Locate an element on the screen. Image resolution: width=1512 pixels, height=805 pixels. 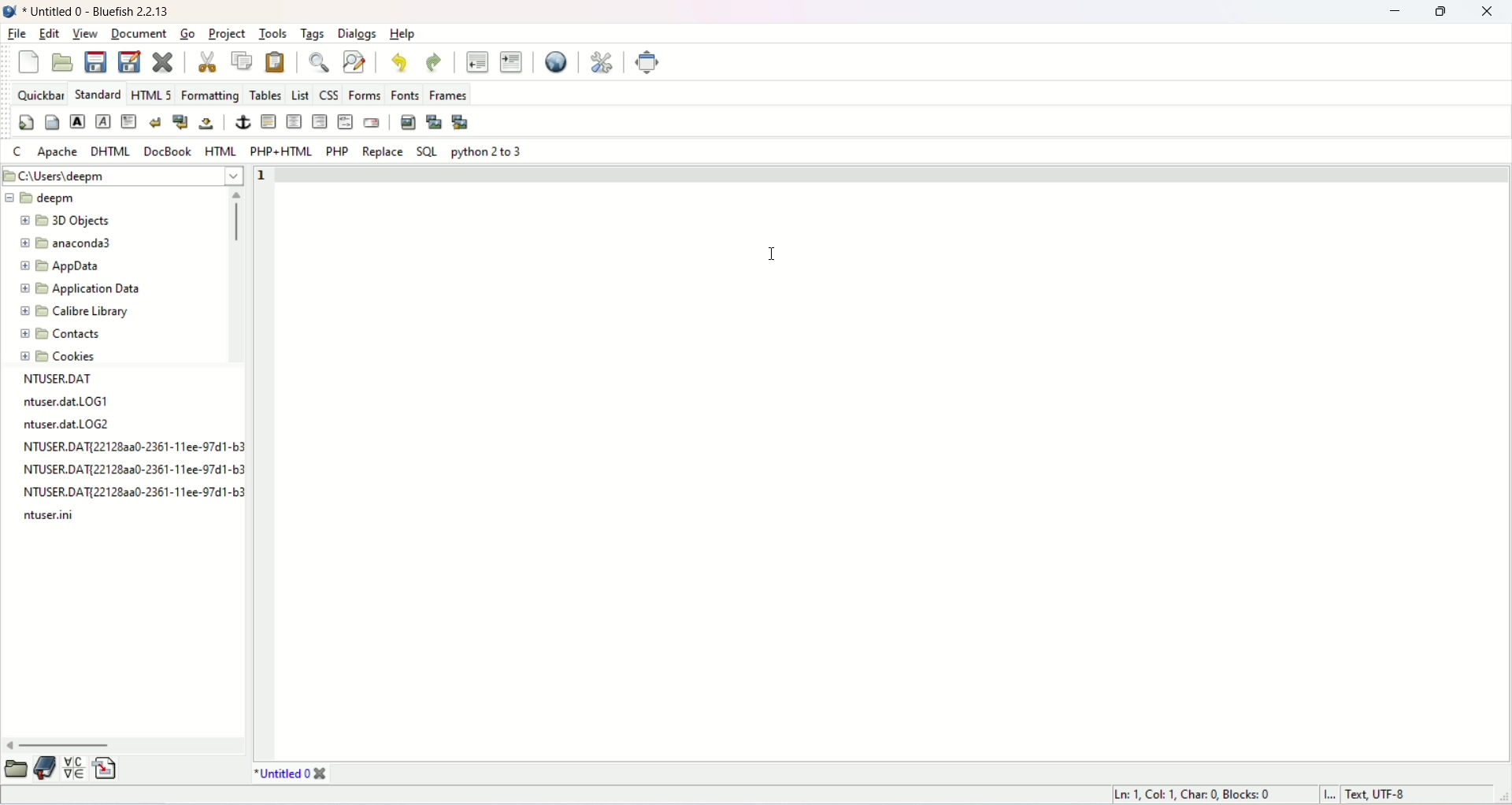
vertical scroll bar is located at coordinates (238, 277).